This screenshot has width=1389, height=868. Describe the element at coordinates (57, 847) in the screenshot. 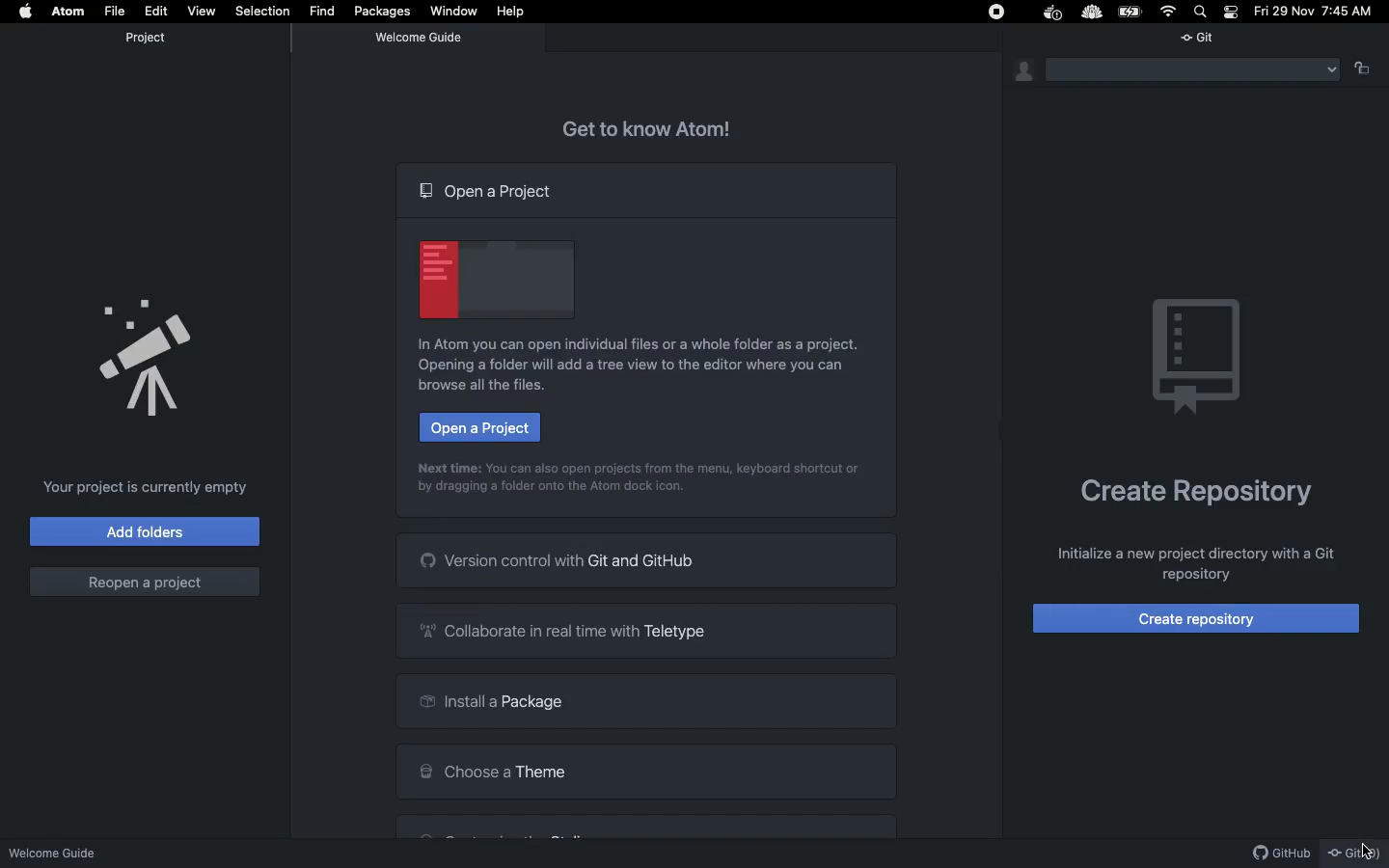

I see `Welcome guide` at that location.